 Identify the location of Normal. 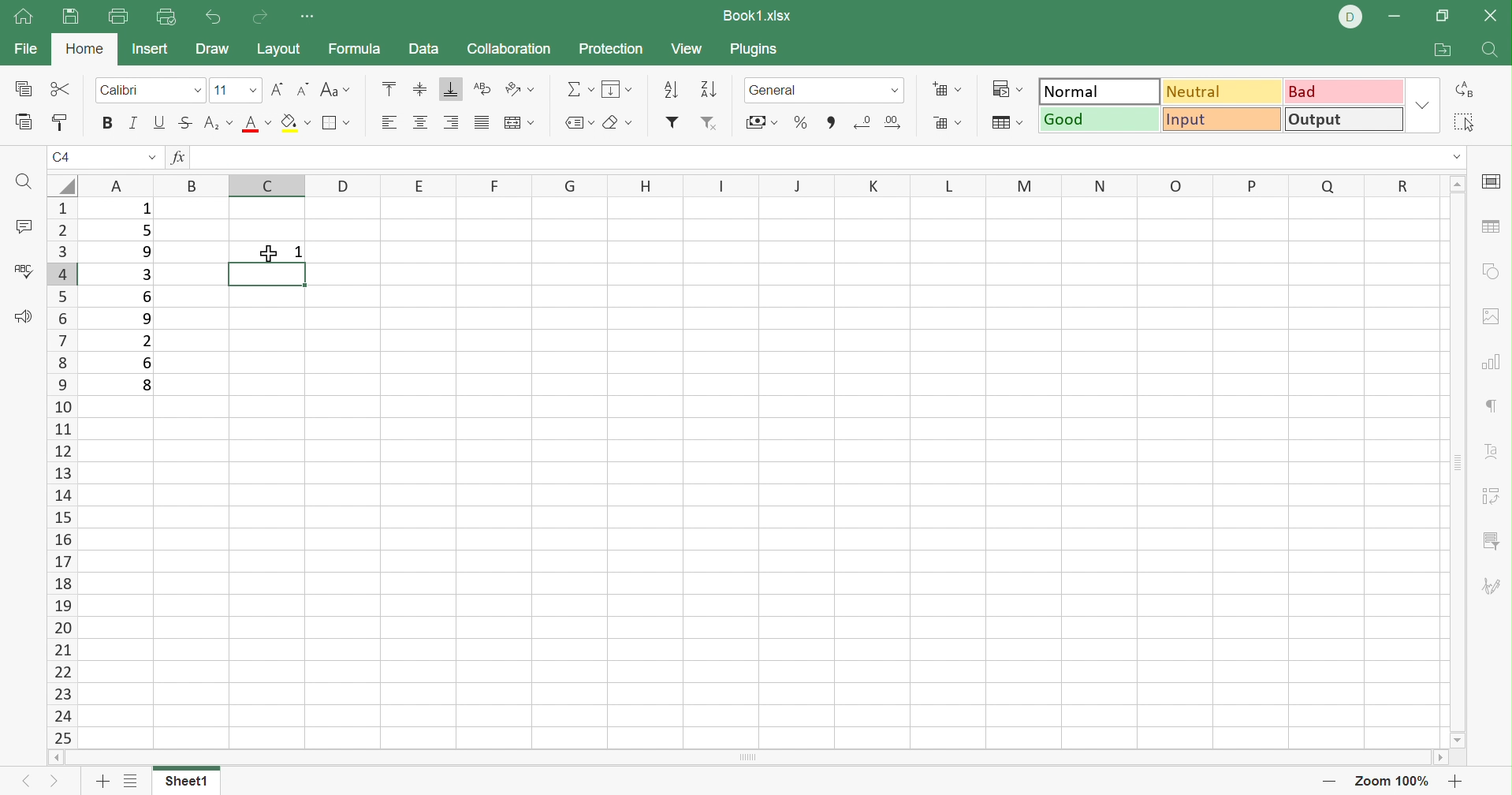
(1100, 90).